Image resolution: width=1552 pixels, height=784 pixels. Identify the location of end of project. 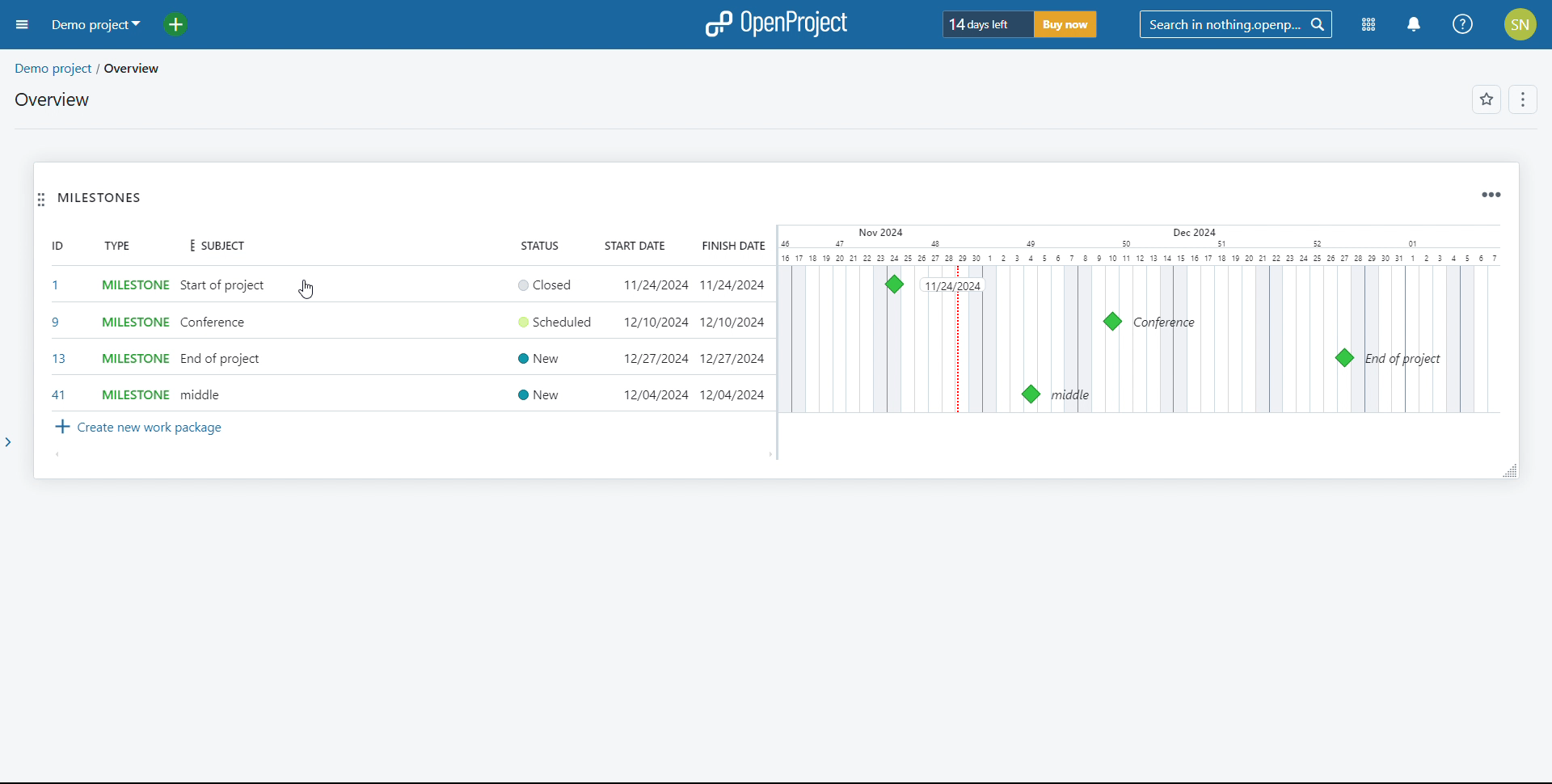
(220, 362).